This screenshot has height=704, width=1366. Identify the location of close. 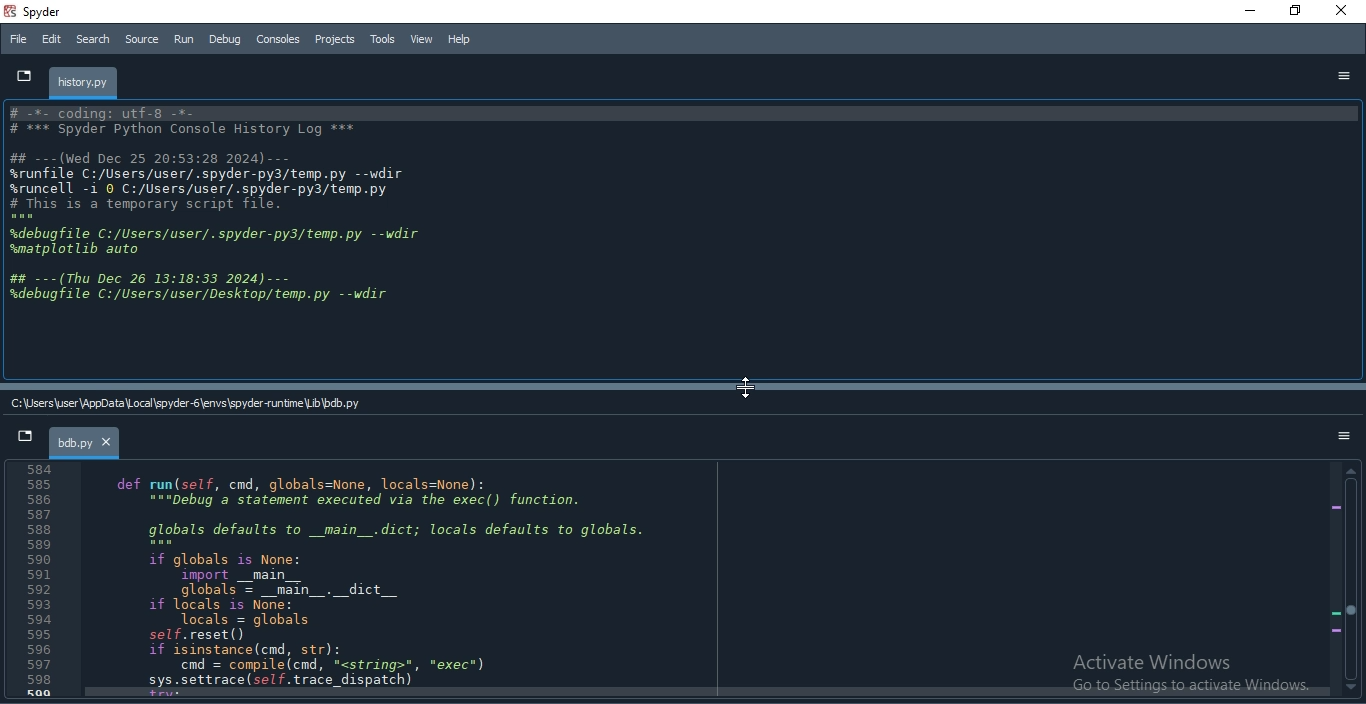
(1346, 12).